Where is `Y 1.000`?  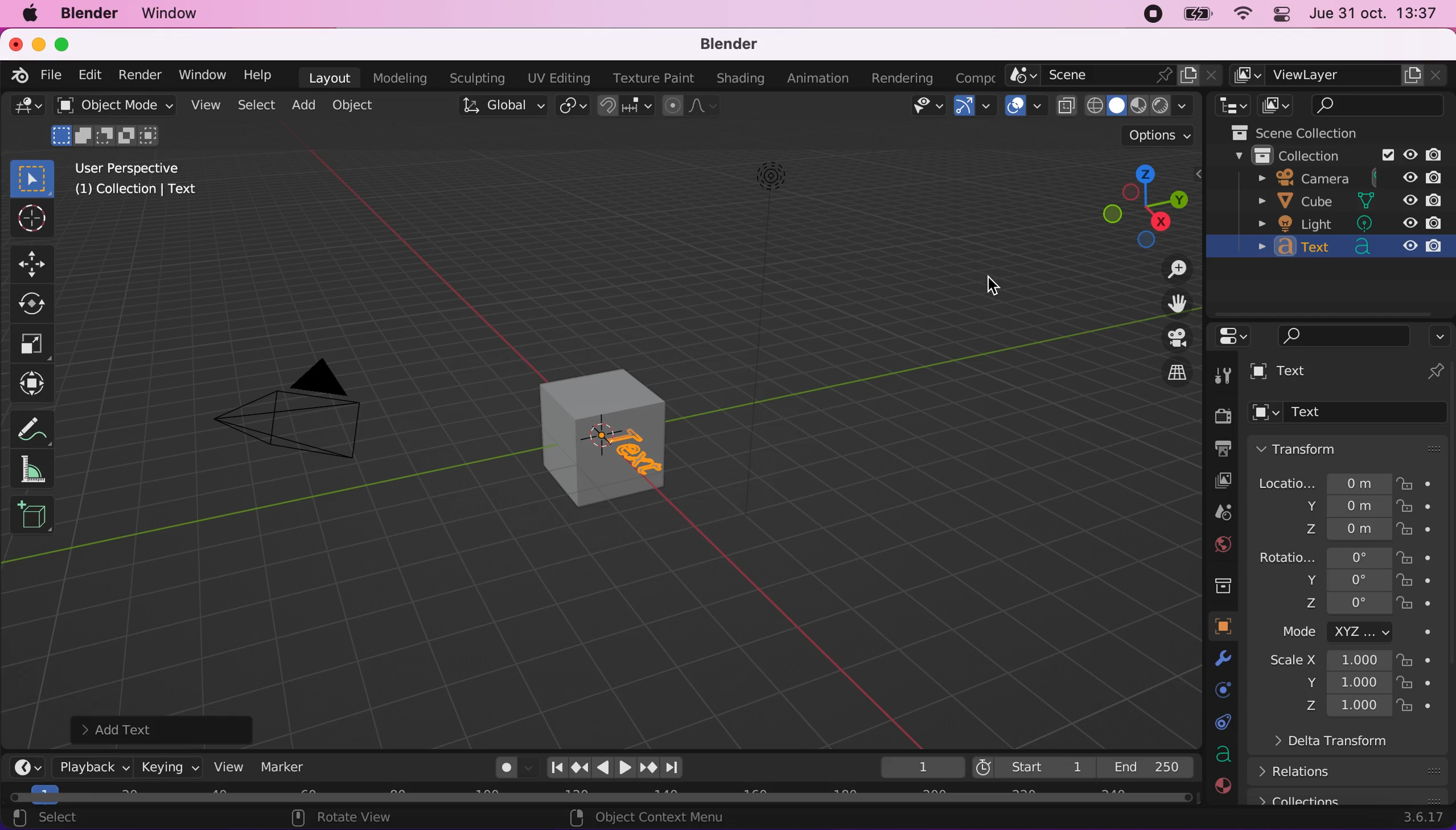
Y 1.000 is located at coordinates (1333, 682).